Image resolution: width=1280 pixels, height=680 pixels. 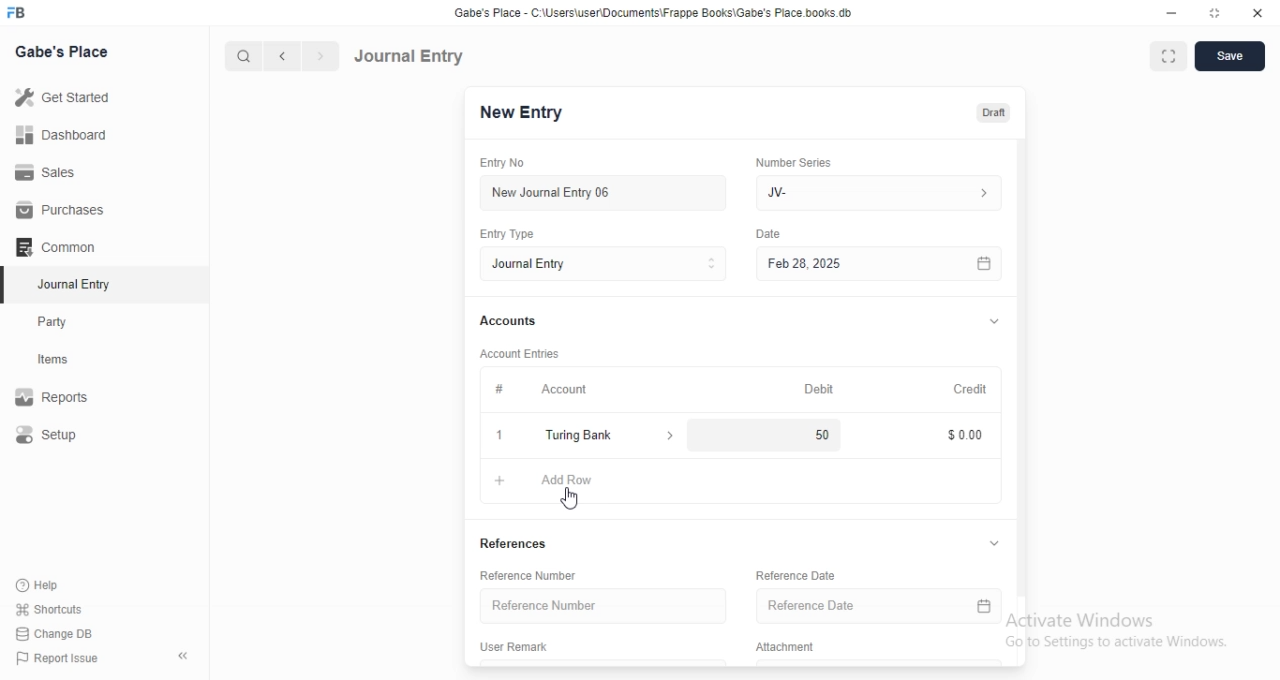 What do you see at coordinates (279, 56) in the screenshot?
I see `previous` at bounding box center [279, 56].